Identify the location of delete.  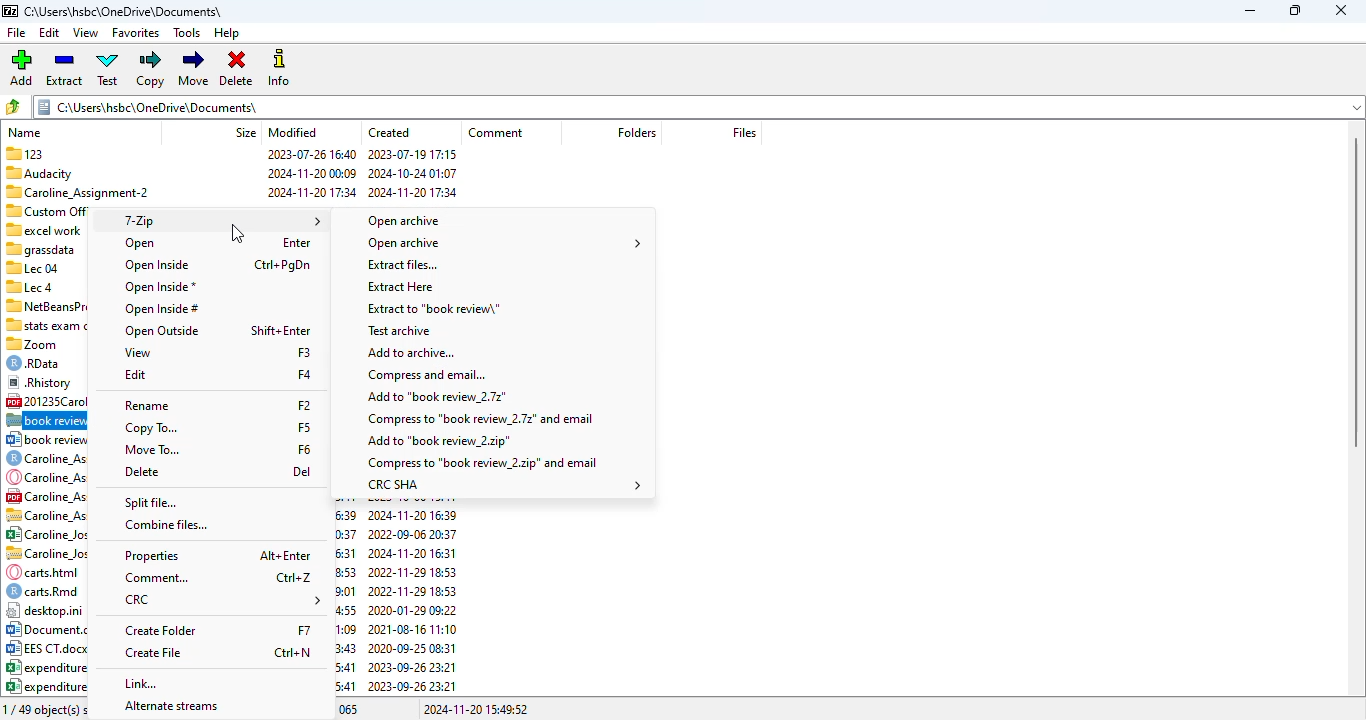
(236, 68).